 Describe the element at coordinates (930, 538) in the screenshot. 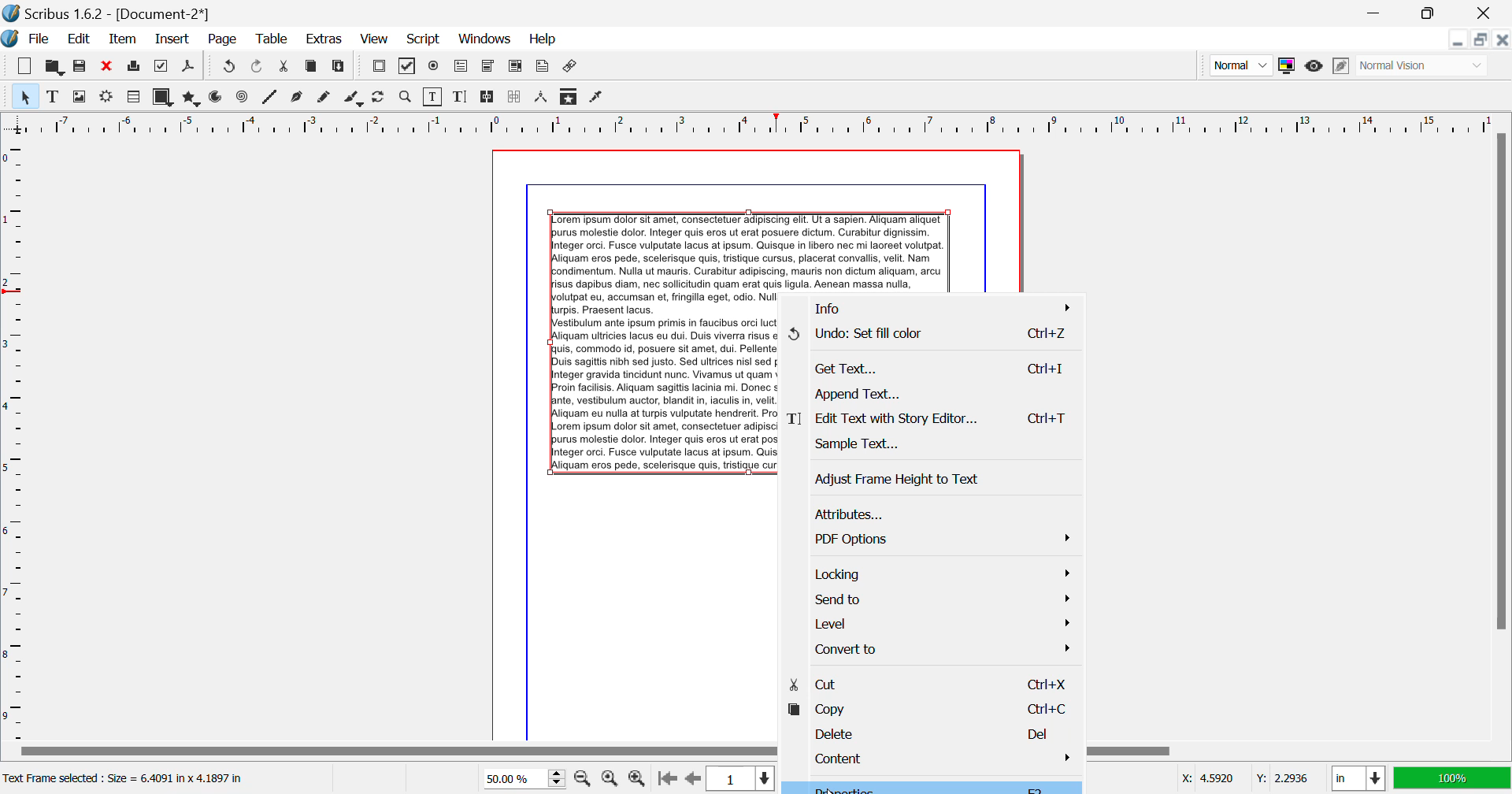

I see `PDF Options` at that location.